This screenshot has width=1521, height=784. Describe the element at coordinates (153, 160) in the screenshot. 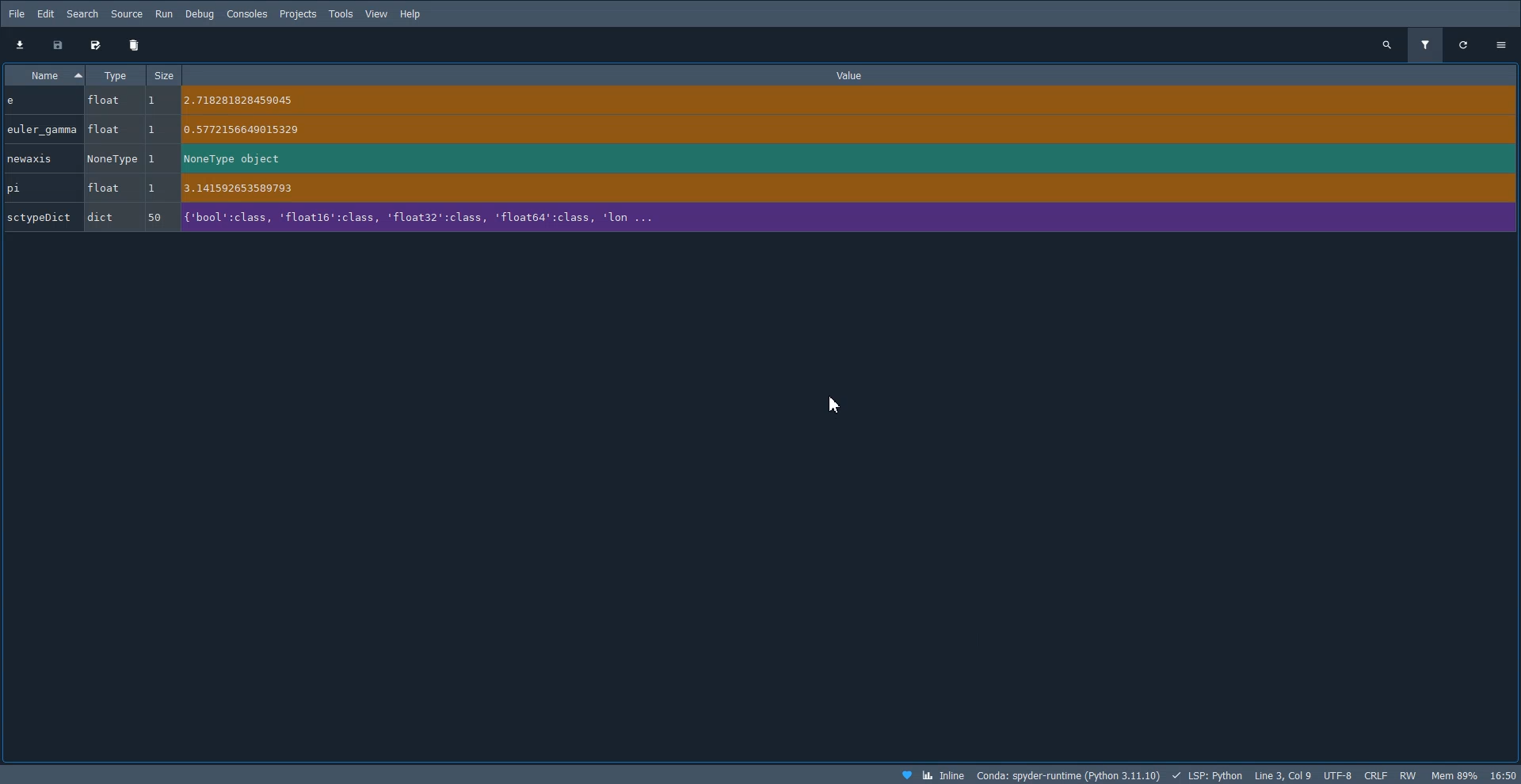

I see `1` at that location.